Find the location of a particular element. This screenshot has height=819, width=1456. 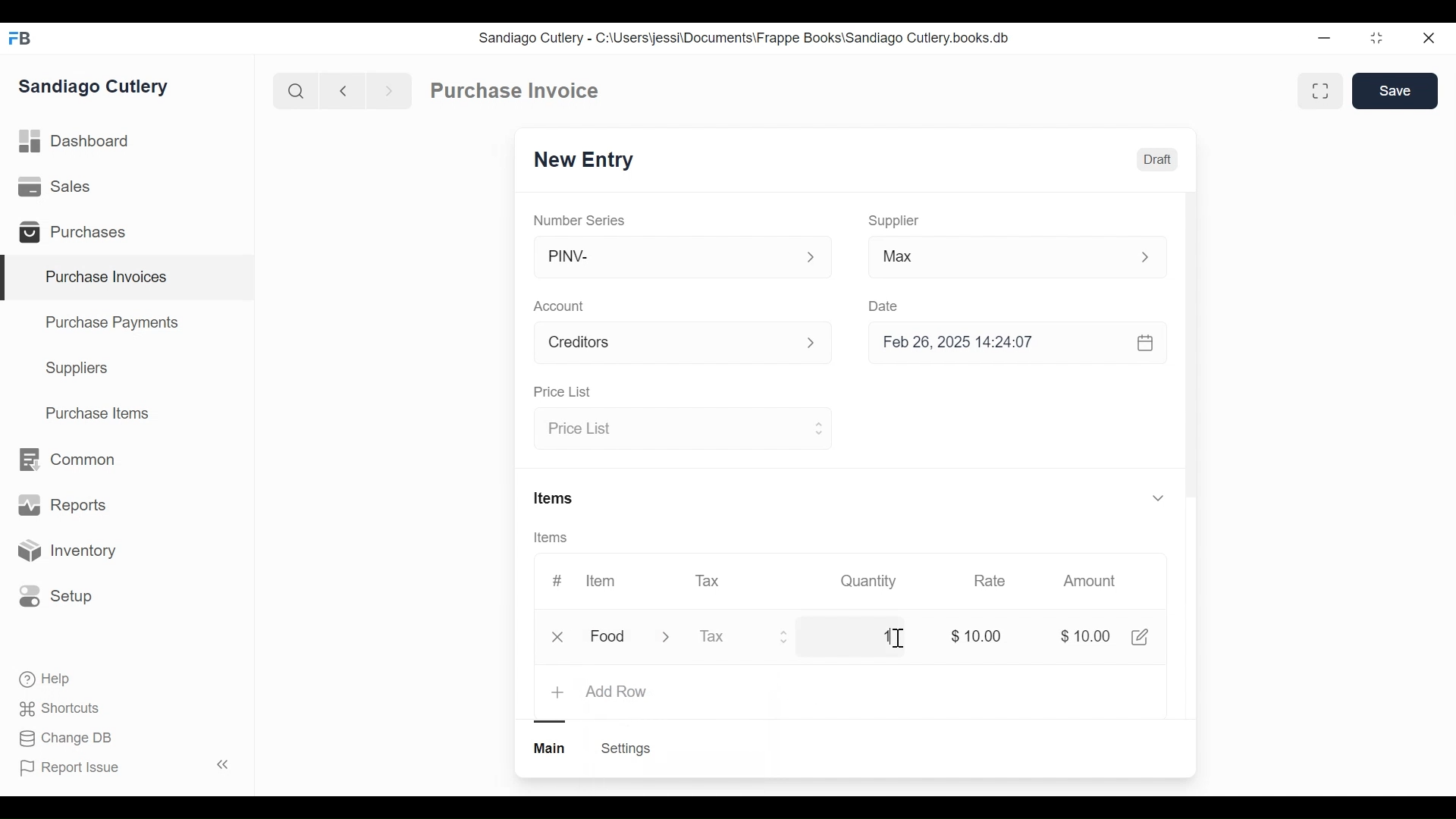

$0.00 is located at coordinates (1088, 638).